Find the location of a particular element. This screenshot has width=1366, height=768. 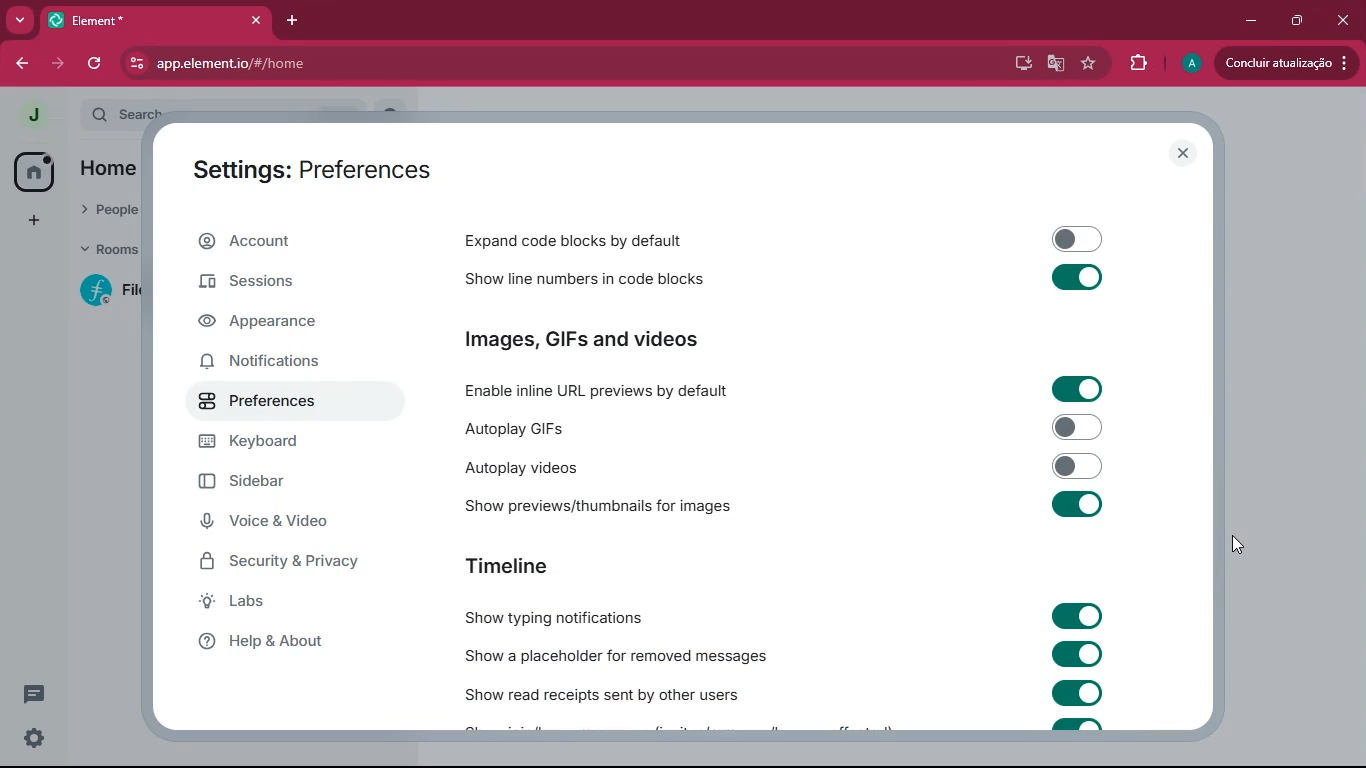

autoplay videos is located at coordinates (552, 468).